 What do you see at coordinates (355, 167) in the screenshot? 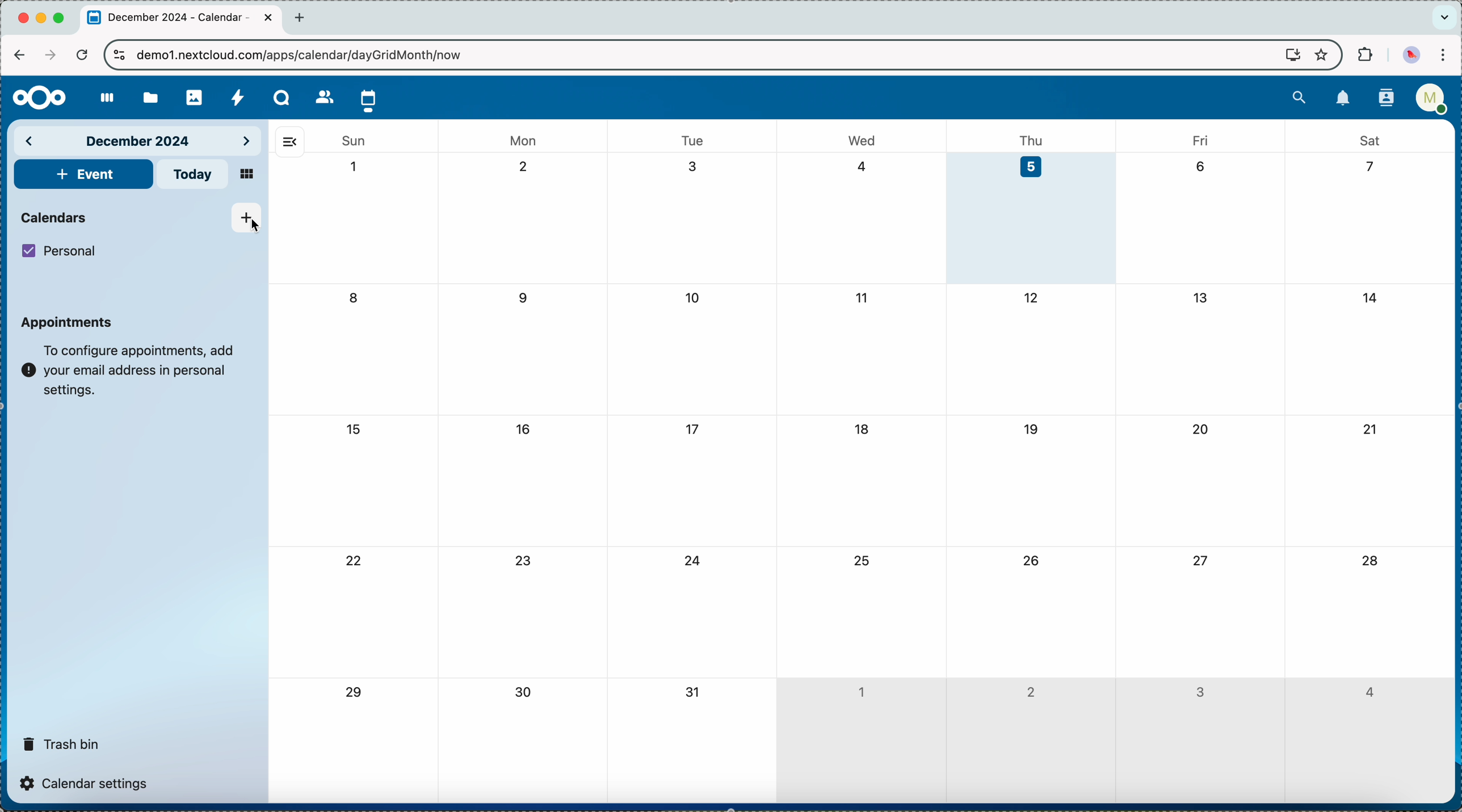
I see `1` at bounding box center [355, 167].